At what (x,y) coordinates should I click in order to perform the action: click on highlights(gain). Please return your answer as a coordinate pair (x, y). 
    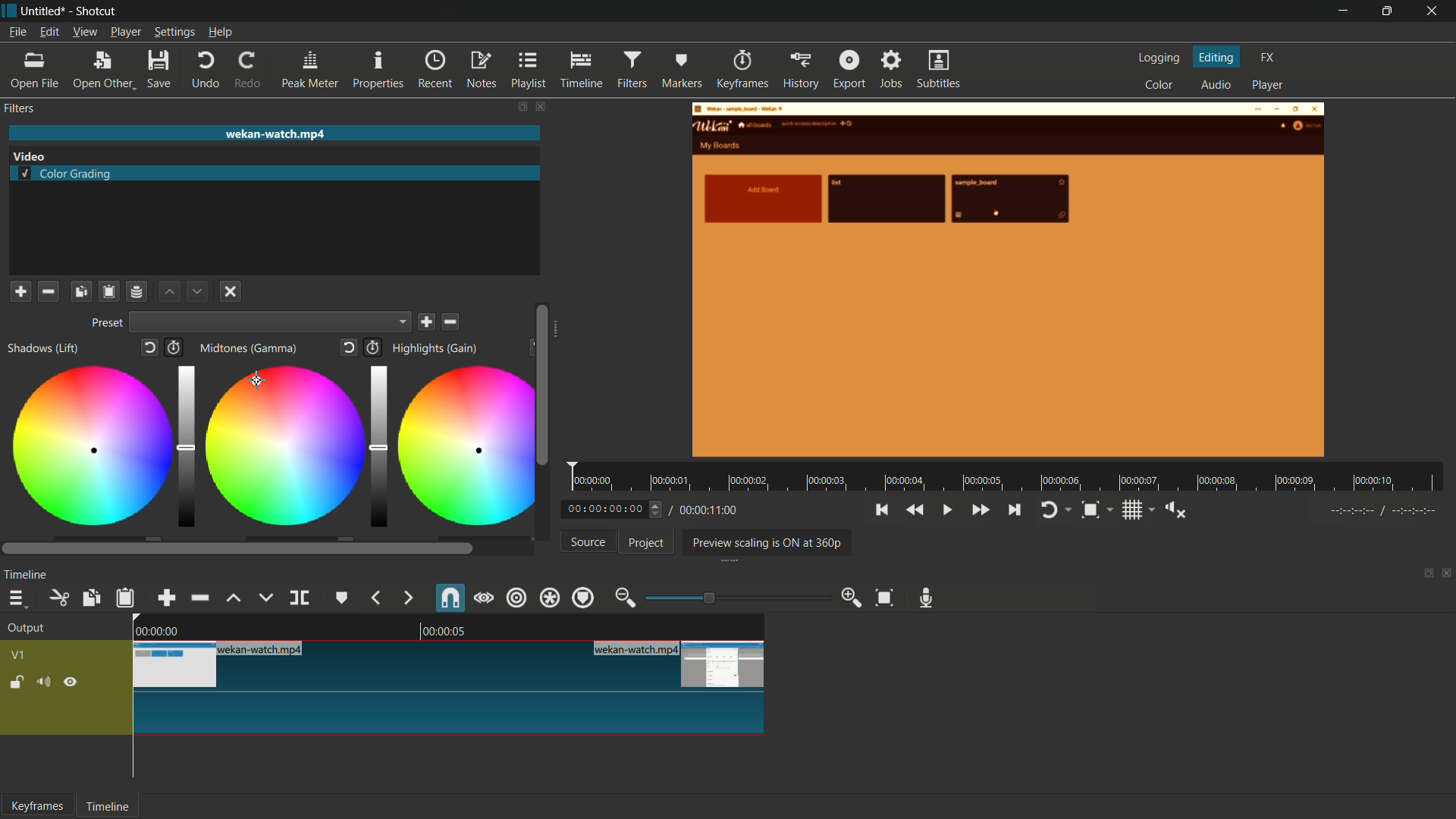
    Looking at the image, I should click on (437, 349).